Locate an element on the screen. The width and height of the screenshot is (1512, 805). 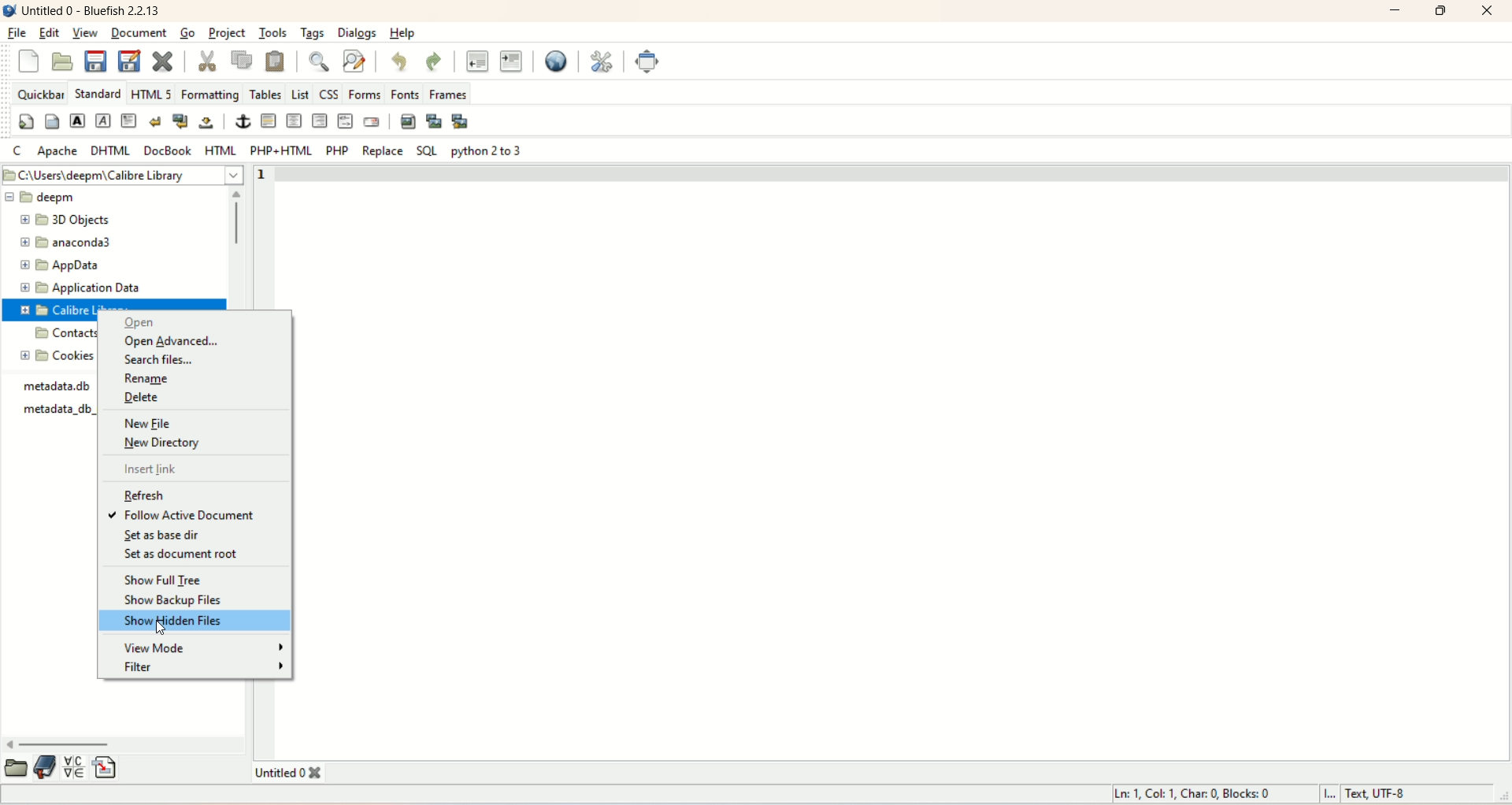
open is located at coordinates (139, 323).